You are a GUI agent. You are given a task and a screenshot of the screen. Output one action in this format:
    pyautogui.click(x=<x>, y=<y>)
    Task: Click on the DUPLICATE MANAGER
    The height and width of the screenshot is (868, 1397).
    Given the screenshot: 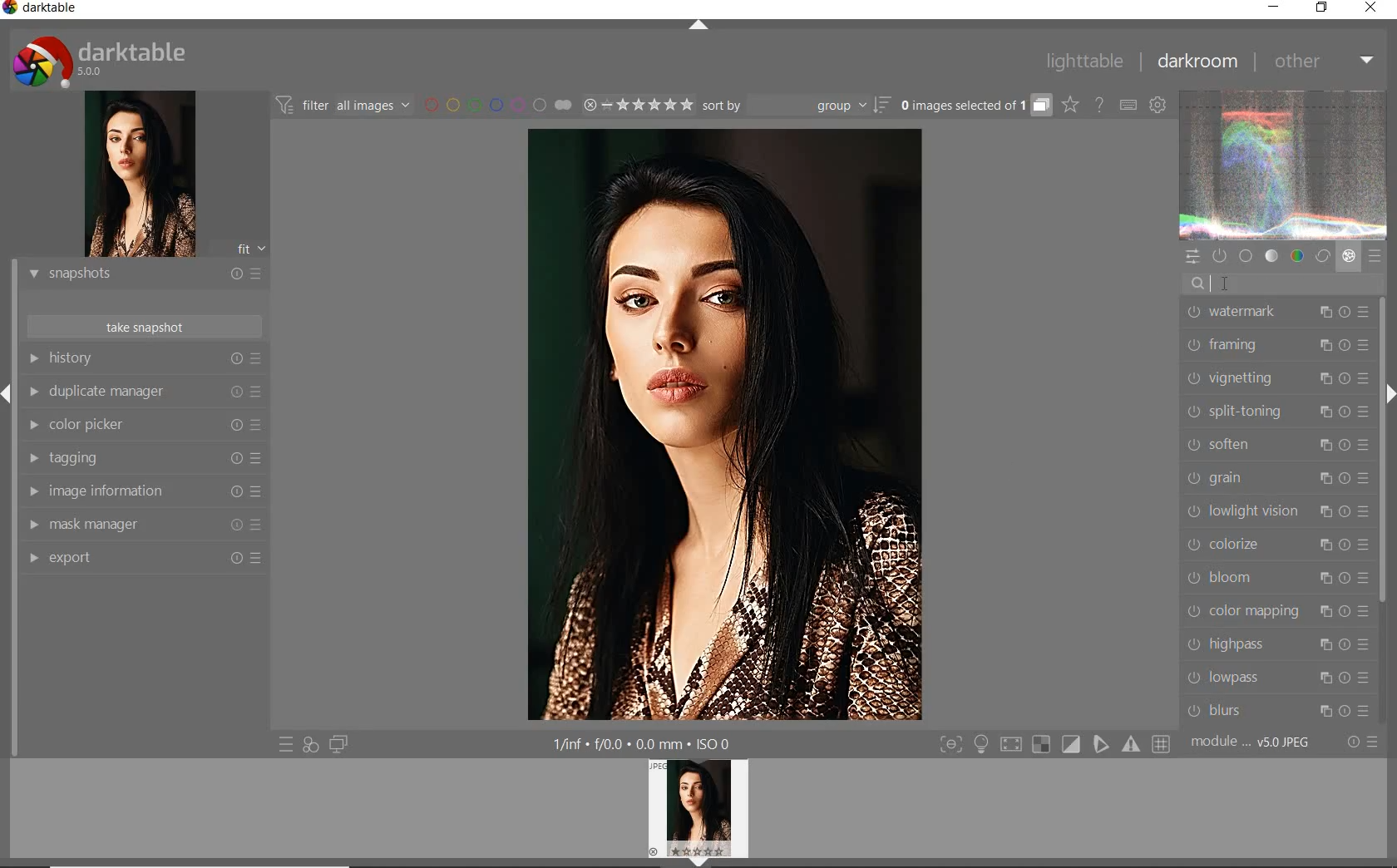 What is the action you would take?
    pyautogui.click(x=146, y=394)
    